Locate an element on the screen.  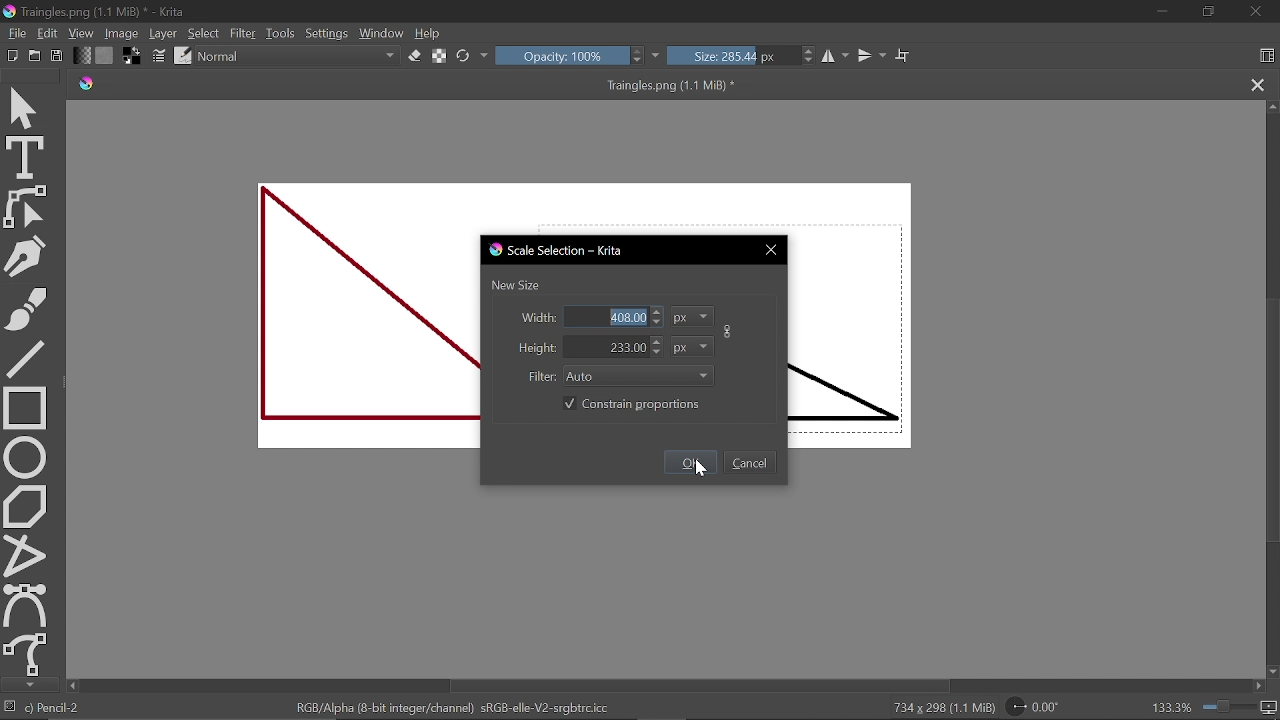
Minimize is located at coordinates (1157, 13).